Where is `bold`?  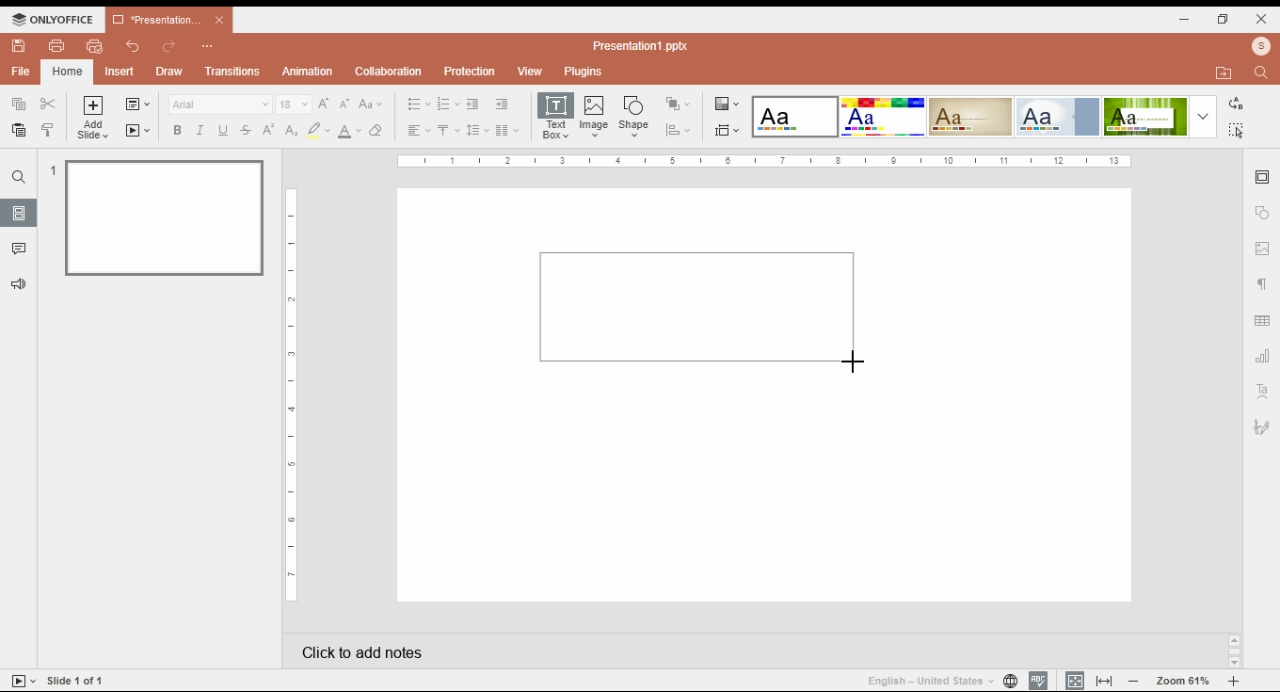 bold is located at coordinates (177, 130).